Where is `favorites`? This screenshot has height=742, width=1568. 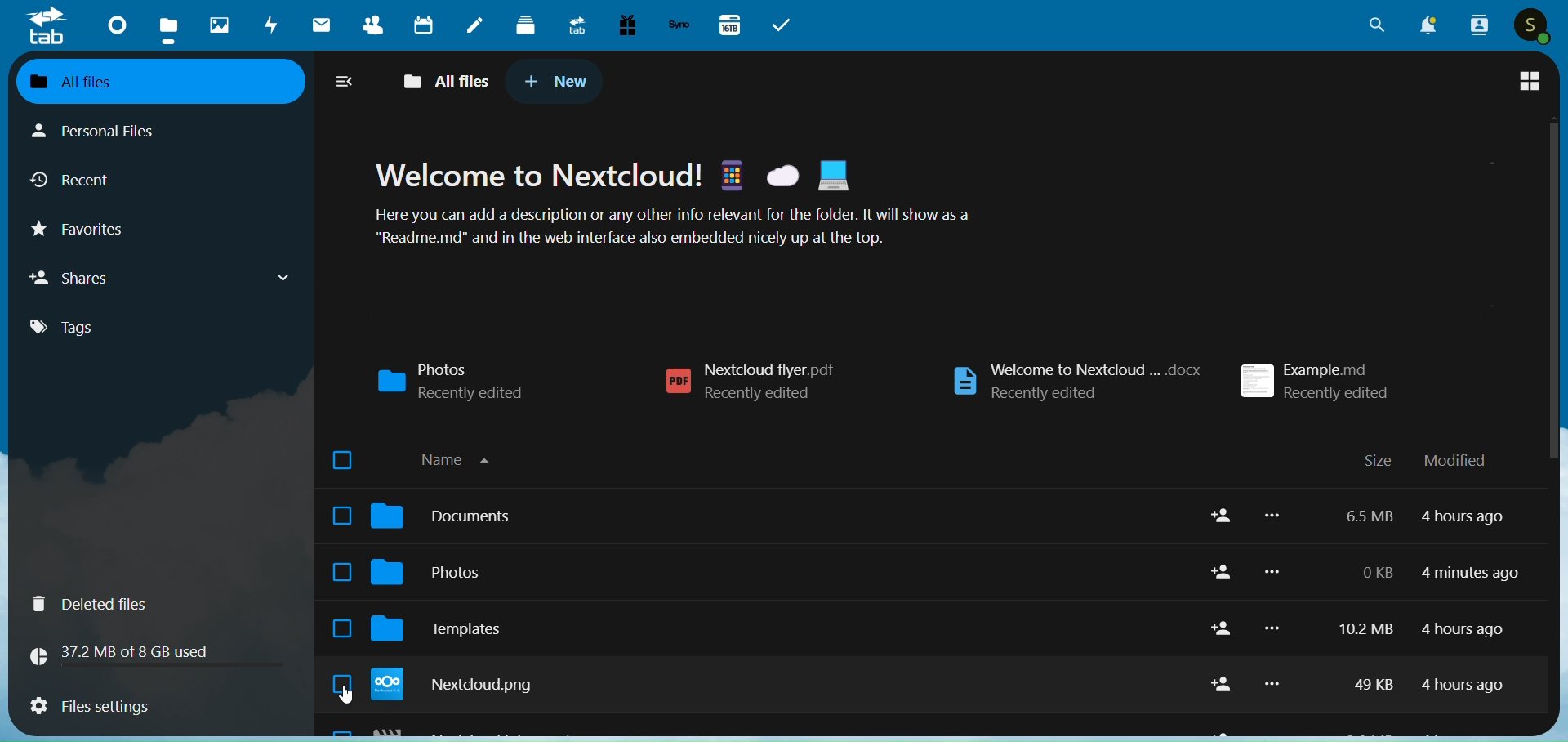
favorites is located at coordinates (83, 230).